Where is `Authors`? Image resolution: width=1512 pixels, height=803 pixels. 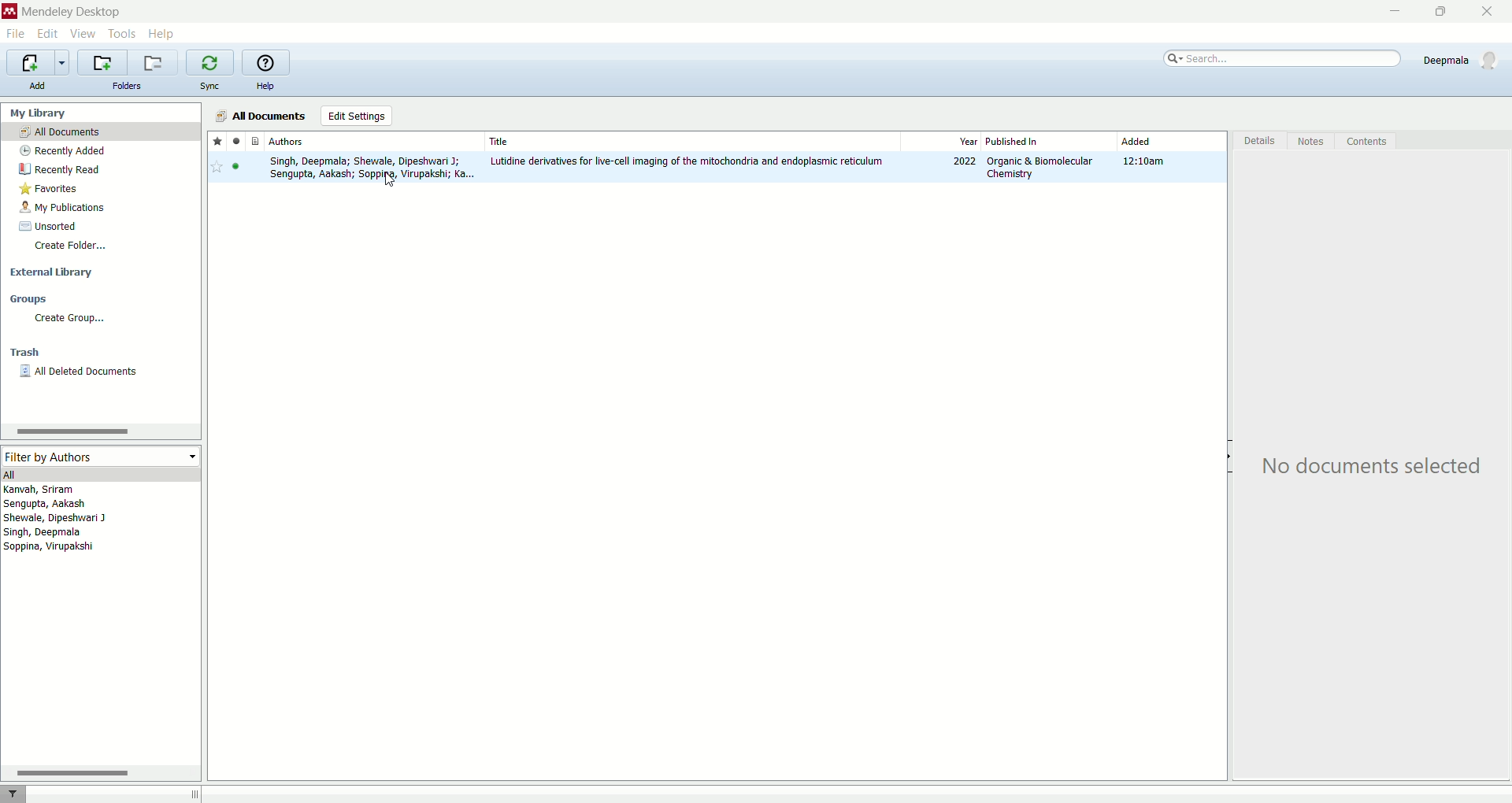
Authors is located at coordinates (372, 141).